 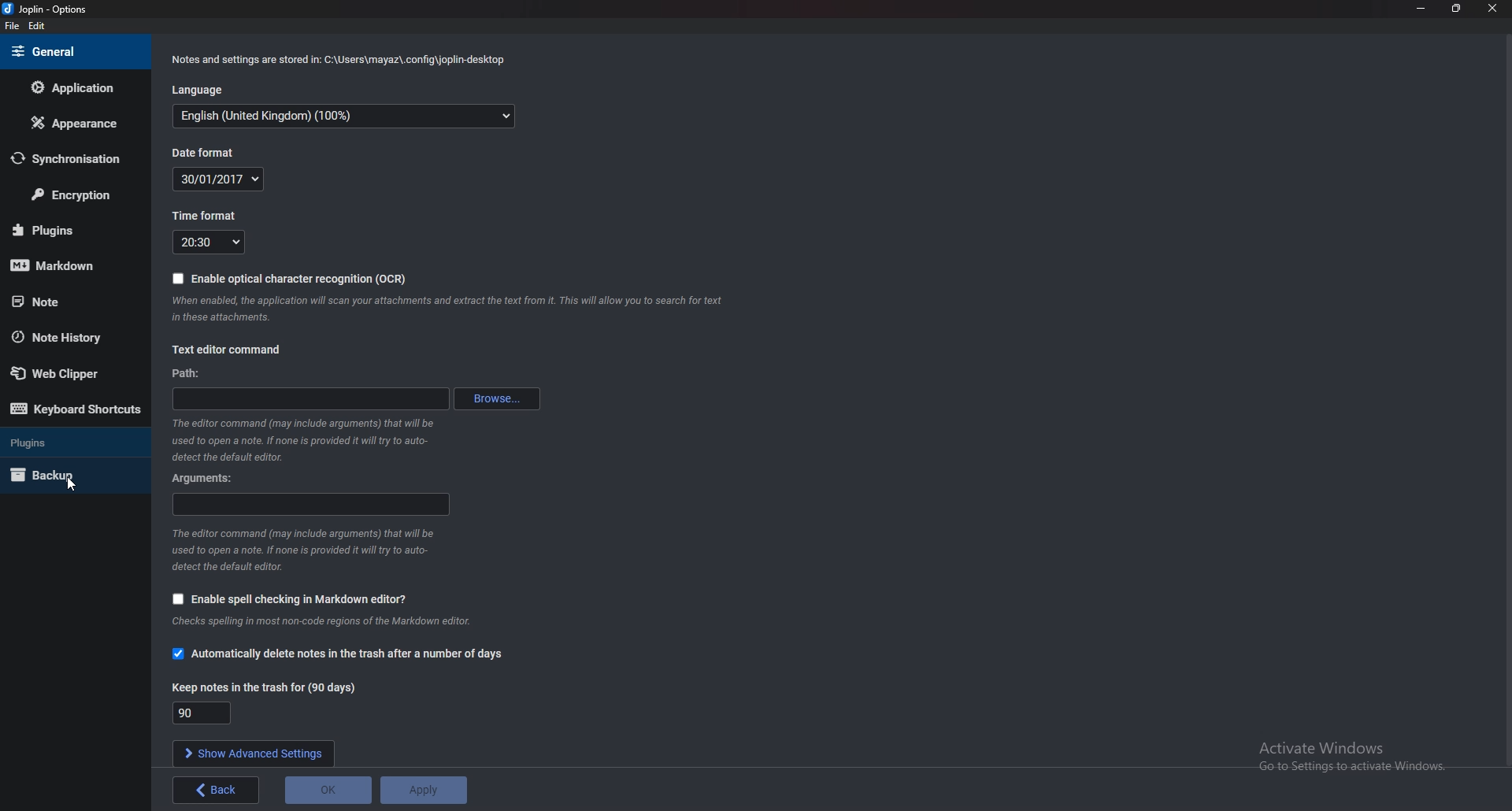 What do you see at coordinates (46, 9) in the screenshot?
I see `joplin` at bounding box center [46, 9].